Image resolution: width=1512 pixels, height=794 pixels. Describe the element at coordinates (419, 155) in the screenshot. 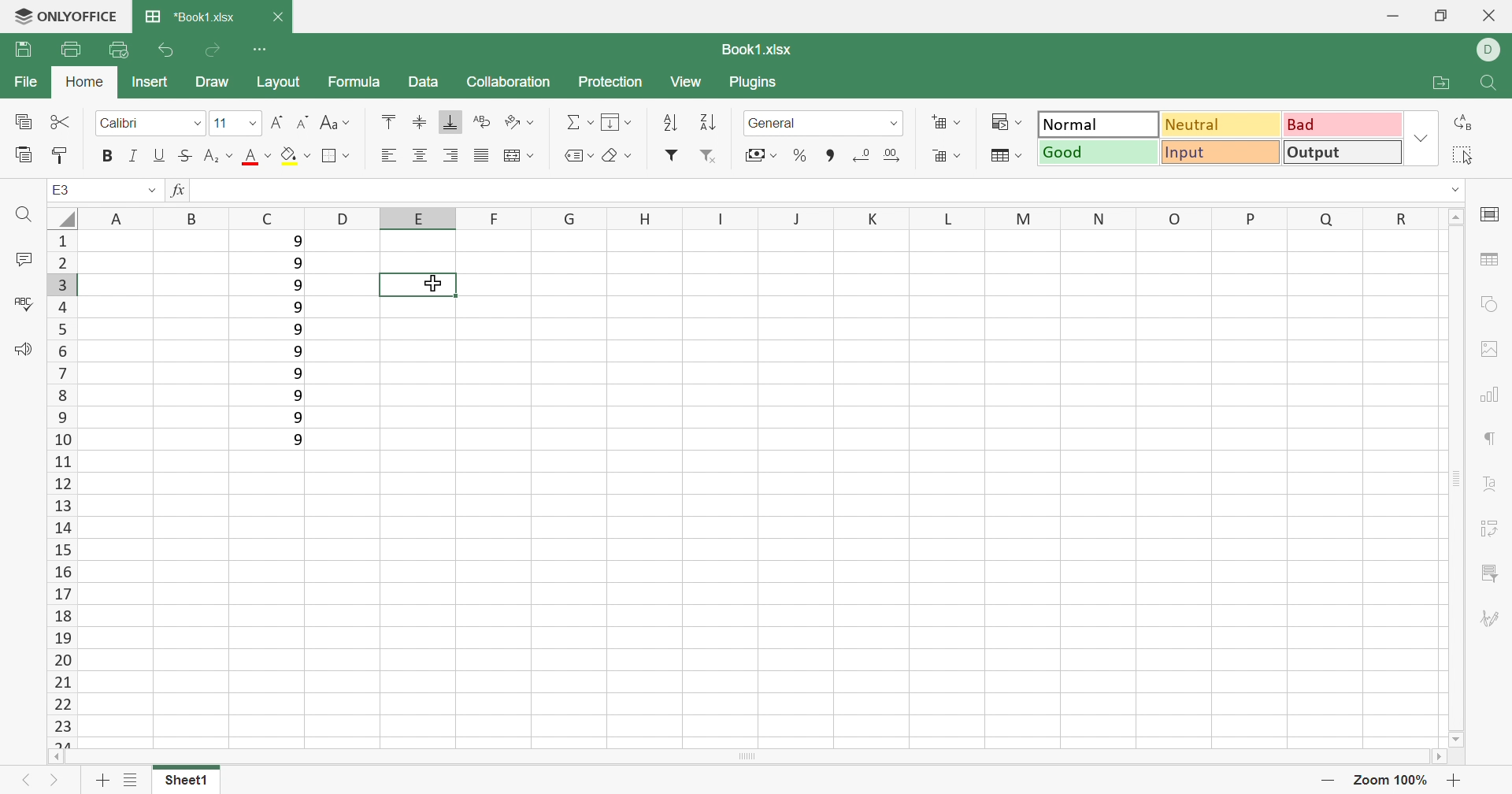

I see `Align Center` at that location.